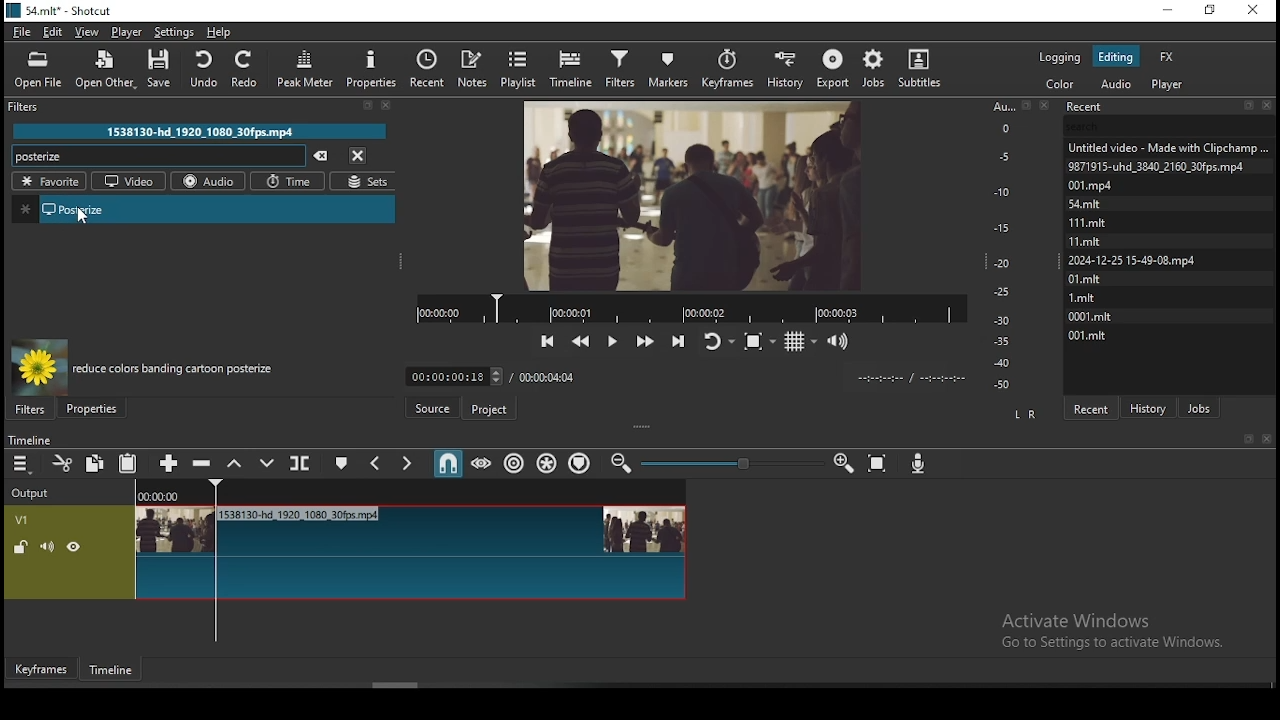 The image size is (1280, 720). What do you see at coordinates (1088, 334) in the screenshot?
I see `001.mit` at bounding box center [1088, 334].